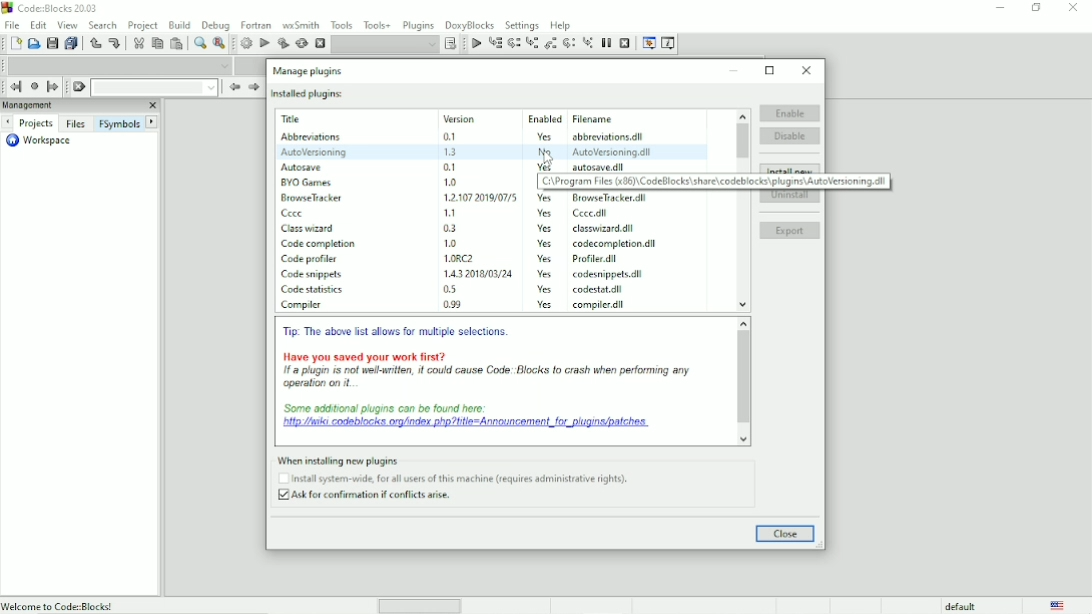 The width and height of the screenshot is (1092, 614). I want to click on version , so click(477, 258).